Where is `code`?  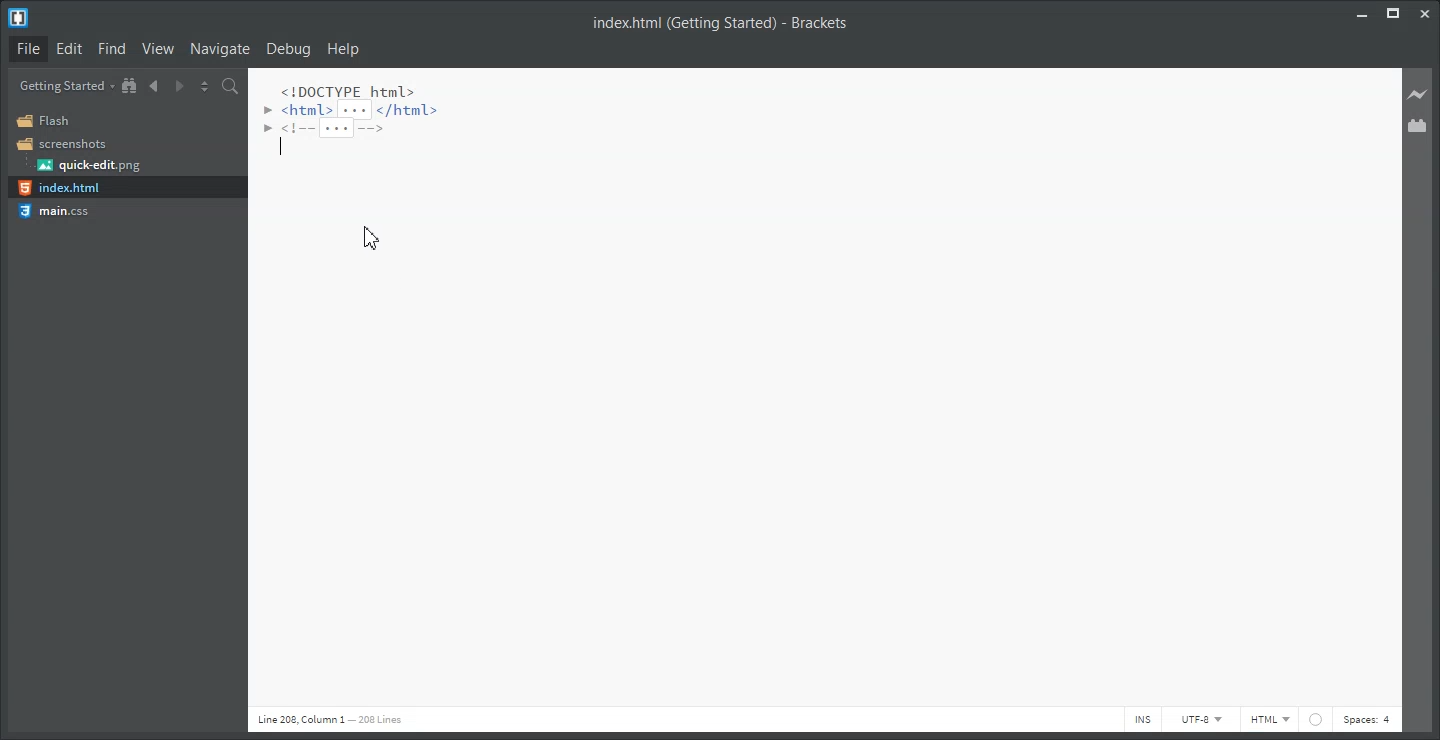
code is located at coordinates (365, 128).